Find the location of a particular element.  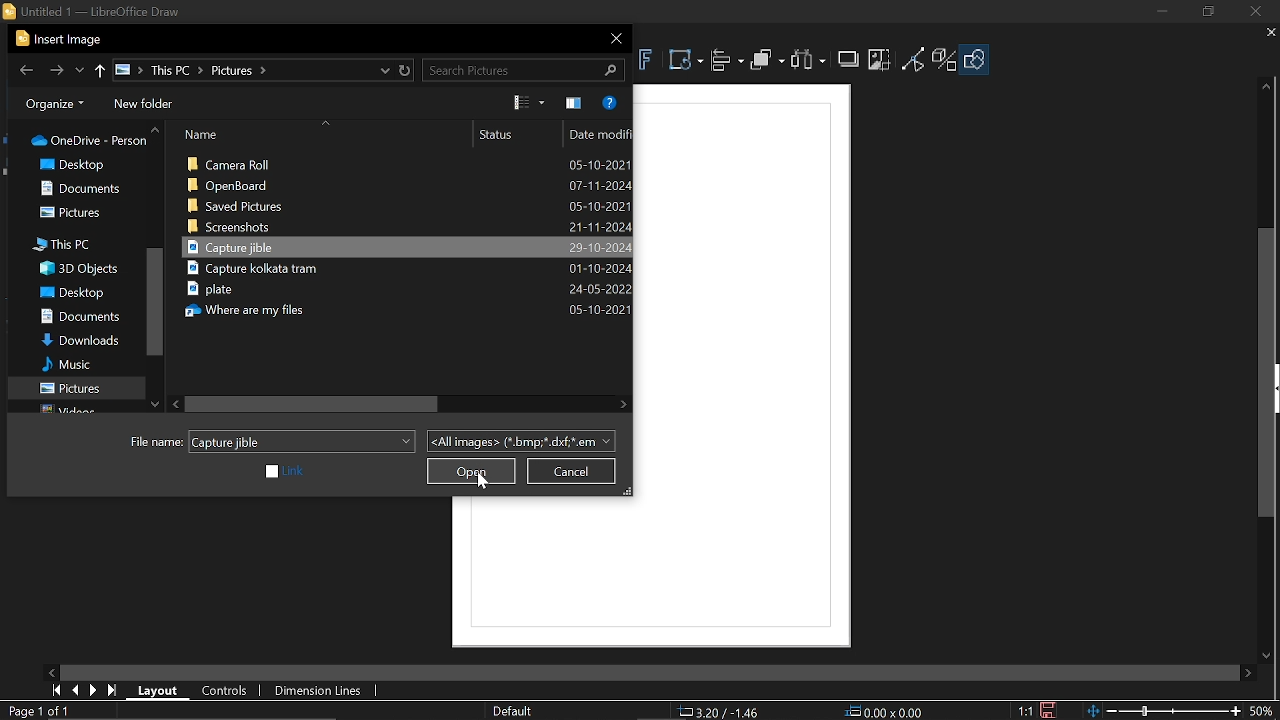

Toggle point edit mode is located at coordinates (912, 63).